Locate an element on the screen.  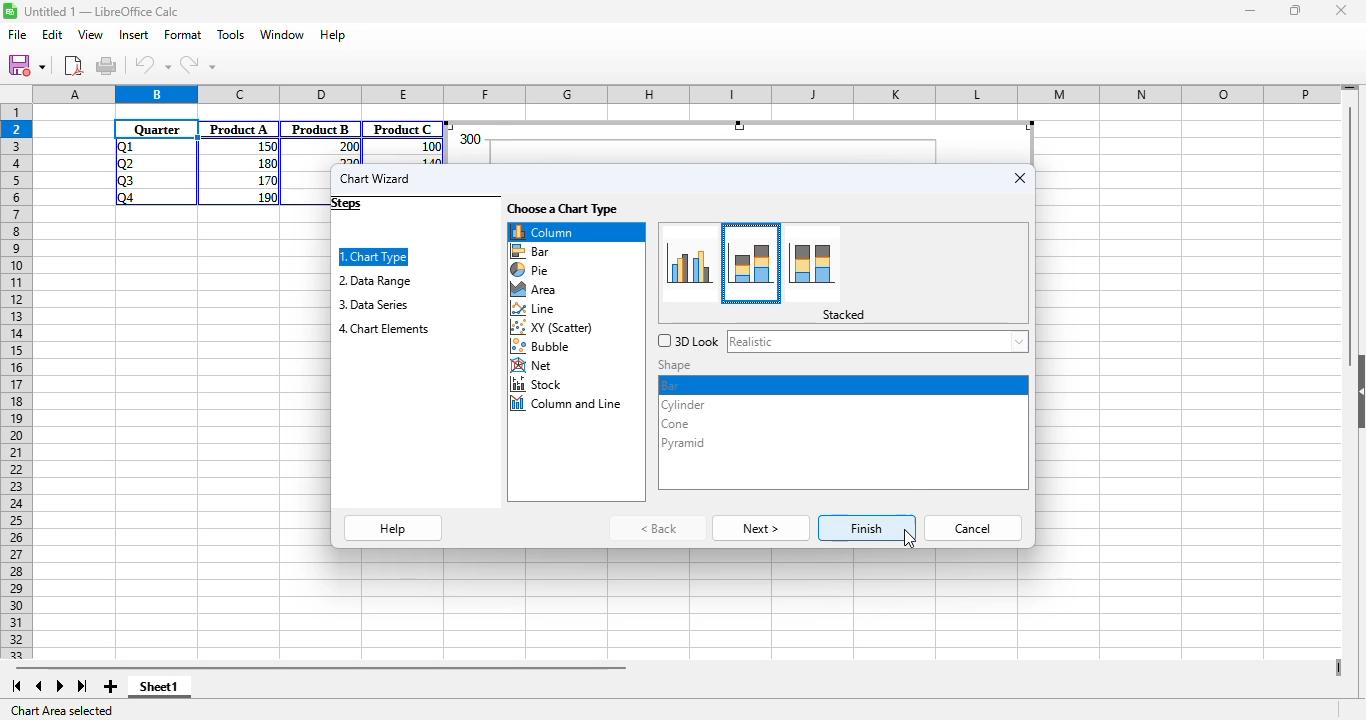
cursor is located at coordinates (909, 538).